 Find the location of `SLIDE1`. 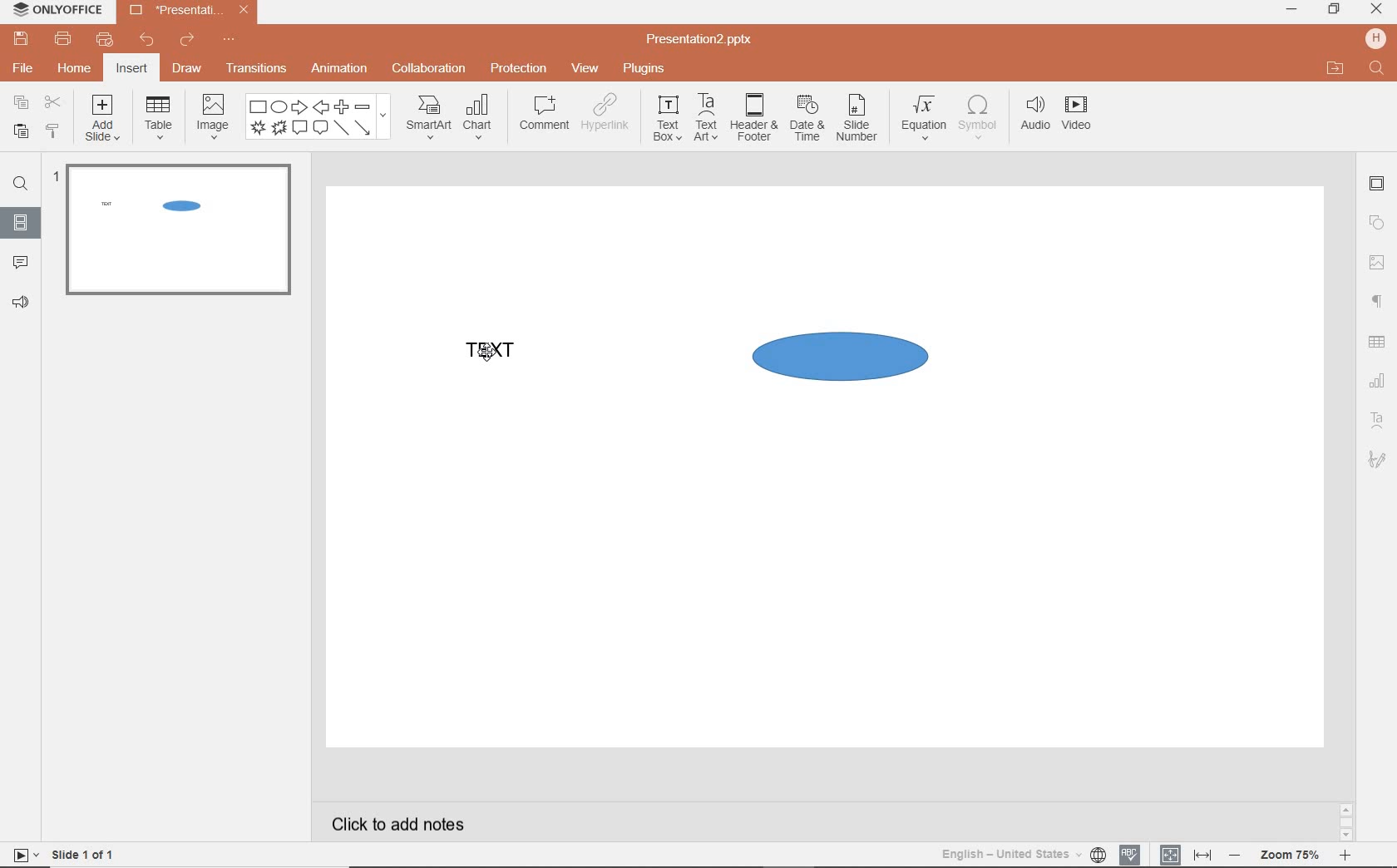

SLIDE1 is located at coordinates (178, 236).